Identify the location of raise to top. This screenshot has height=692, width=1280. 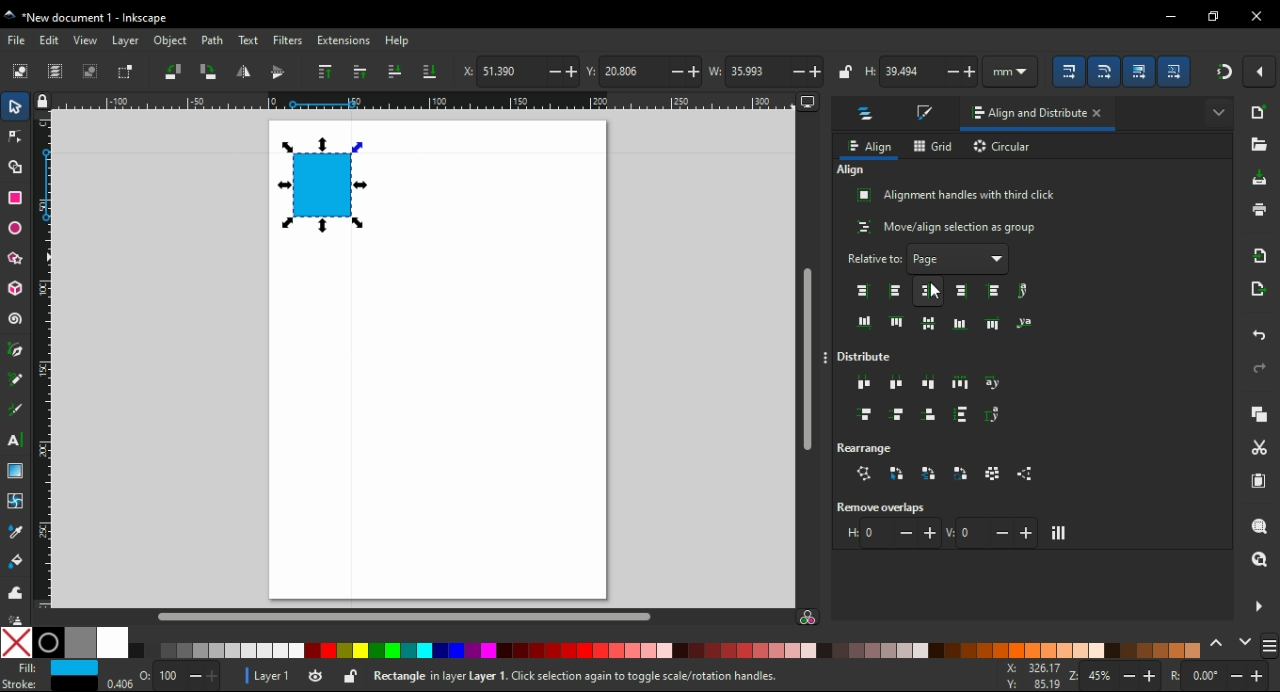
(326, 71).